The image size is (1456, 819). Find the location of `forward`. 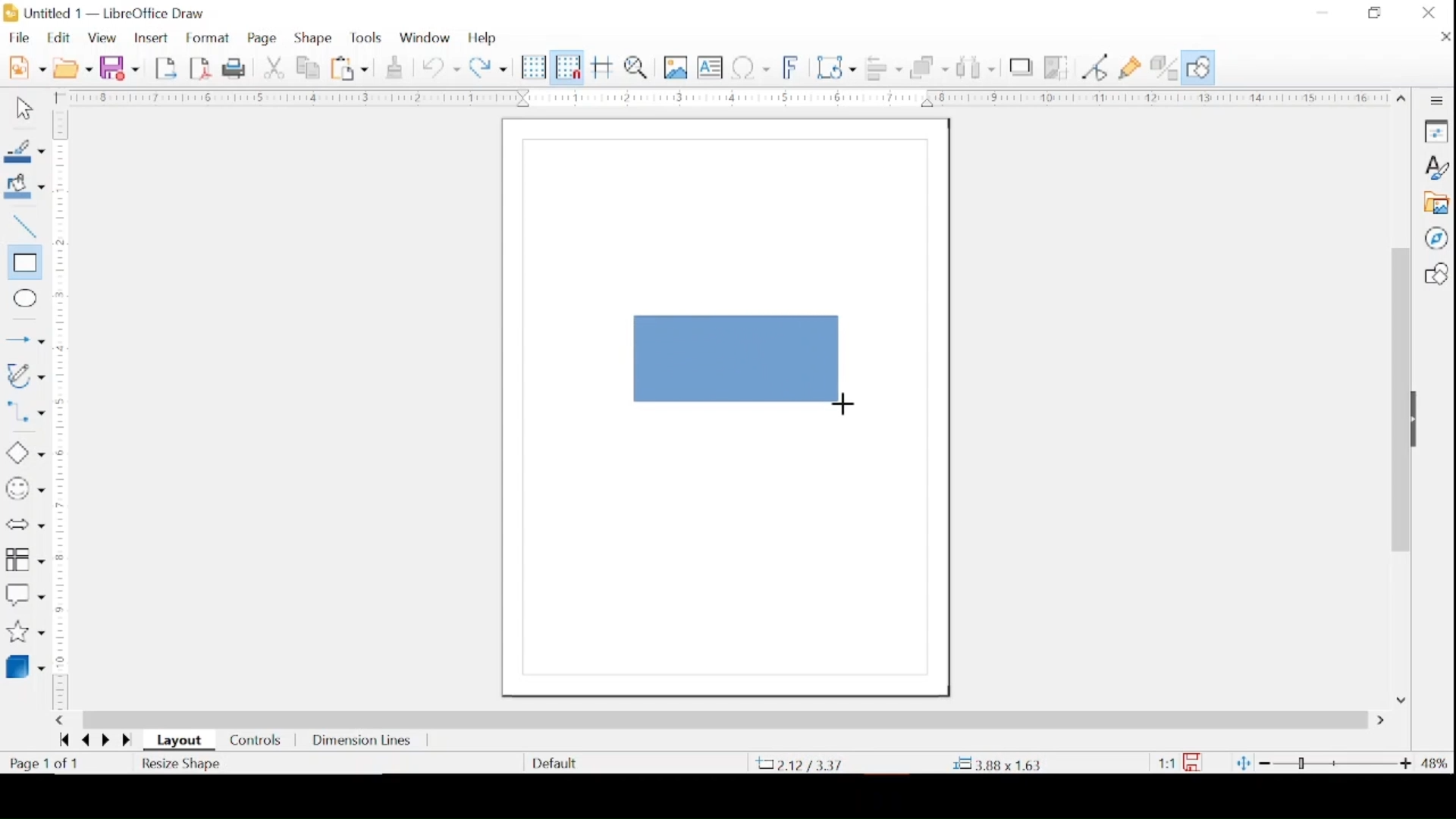

forward is located at coordinates (129, 742).